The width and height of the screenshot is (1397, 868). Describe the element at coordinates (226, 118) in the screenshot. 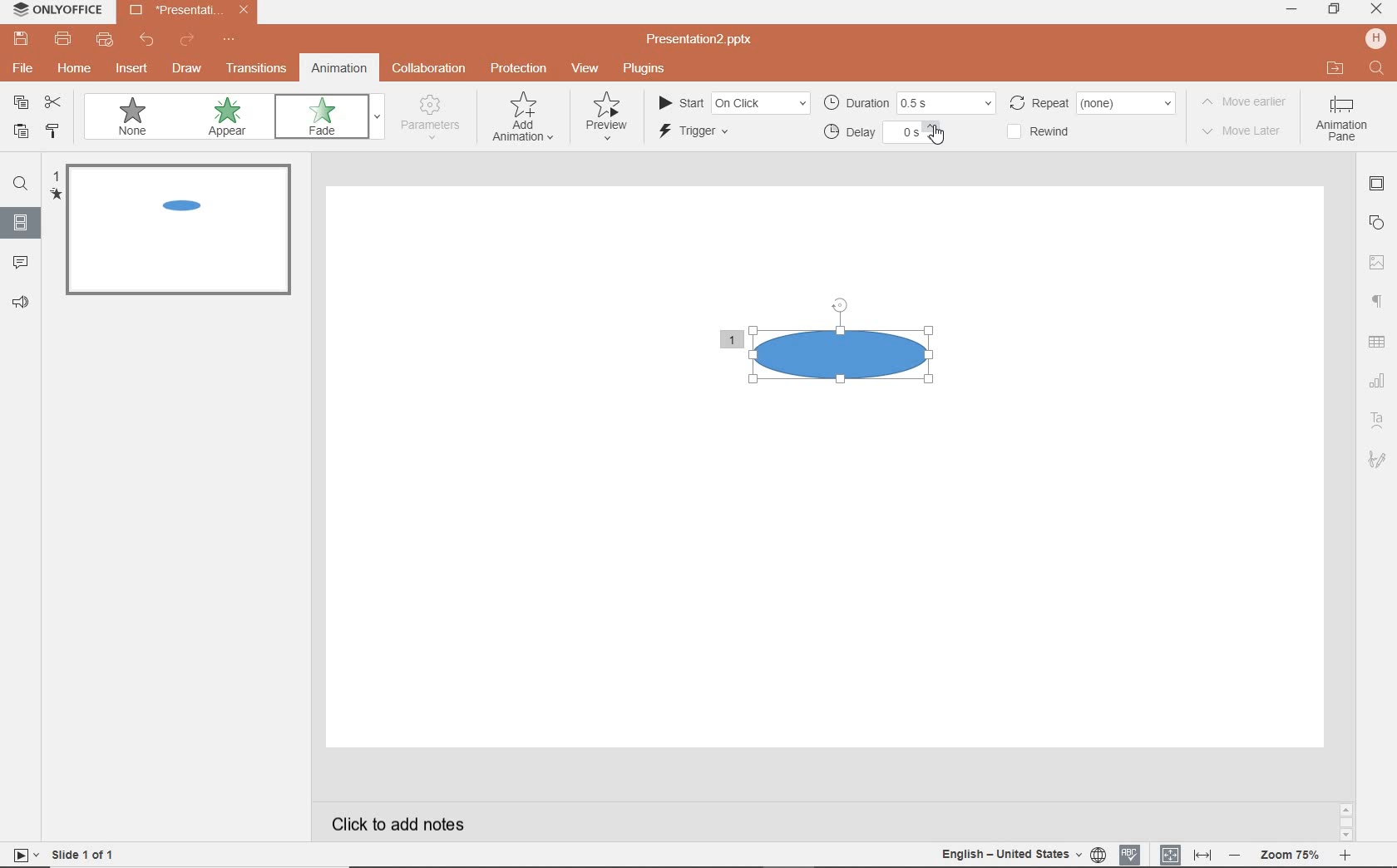

I see `appear` at that location.